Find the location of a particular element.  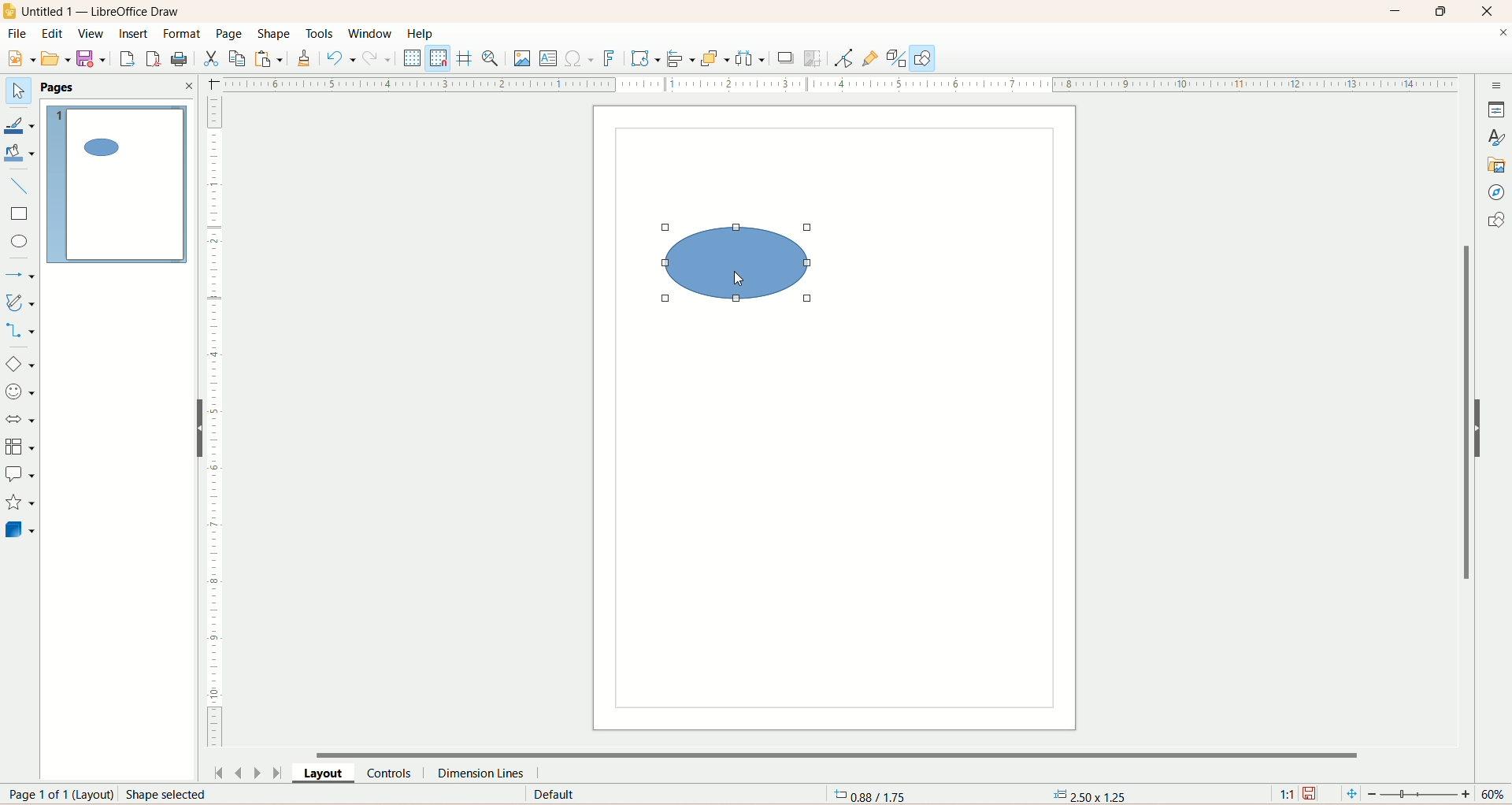

insert line is located at coordinates (19, 185).